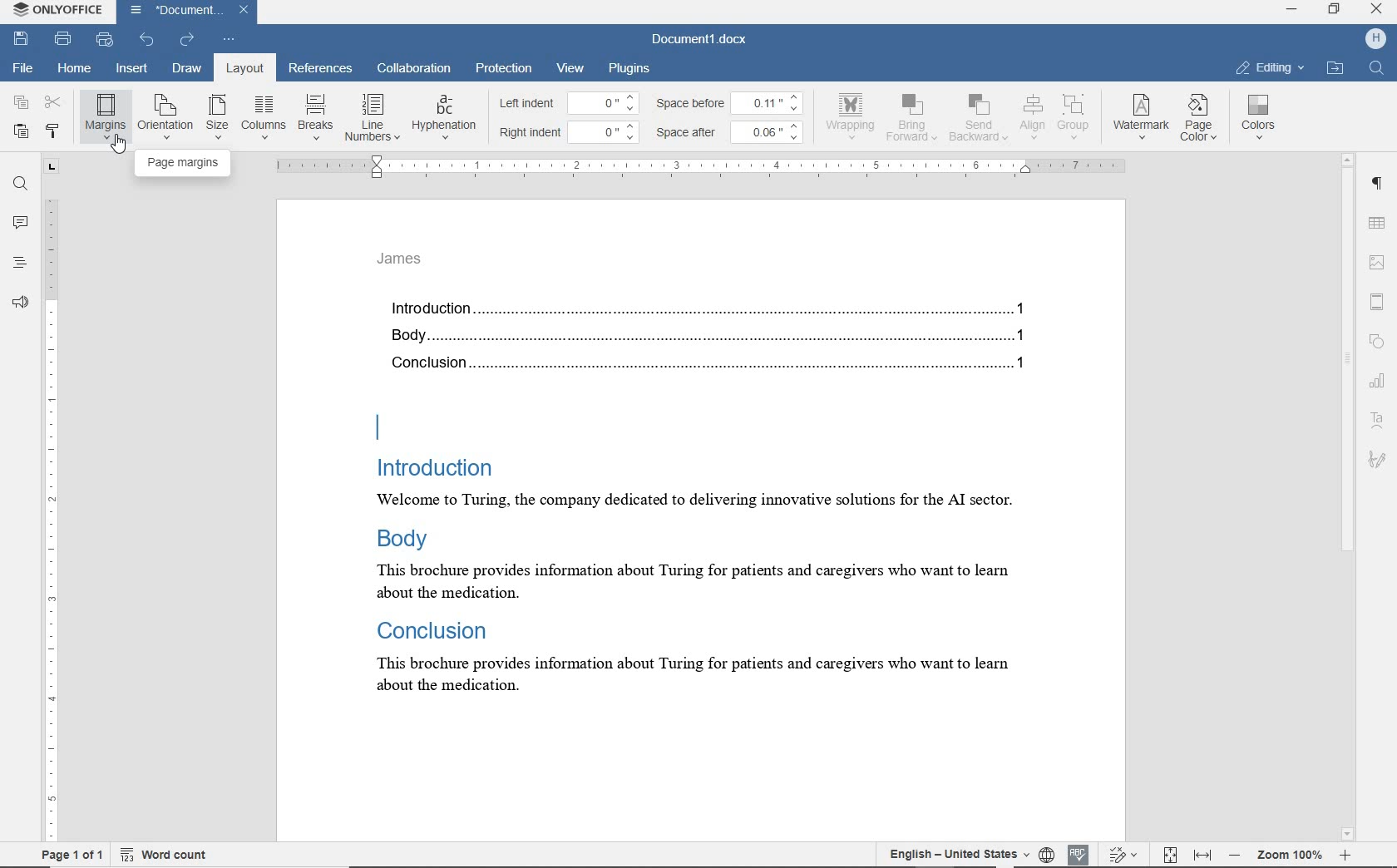 Image resolution: width=1397 pixels, height=868 pixels. I want to click on MINIMIZE, so click(1291, 10).